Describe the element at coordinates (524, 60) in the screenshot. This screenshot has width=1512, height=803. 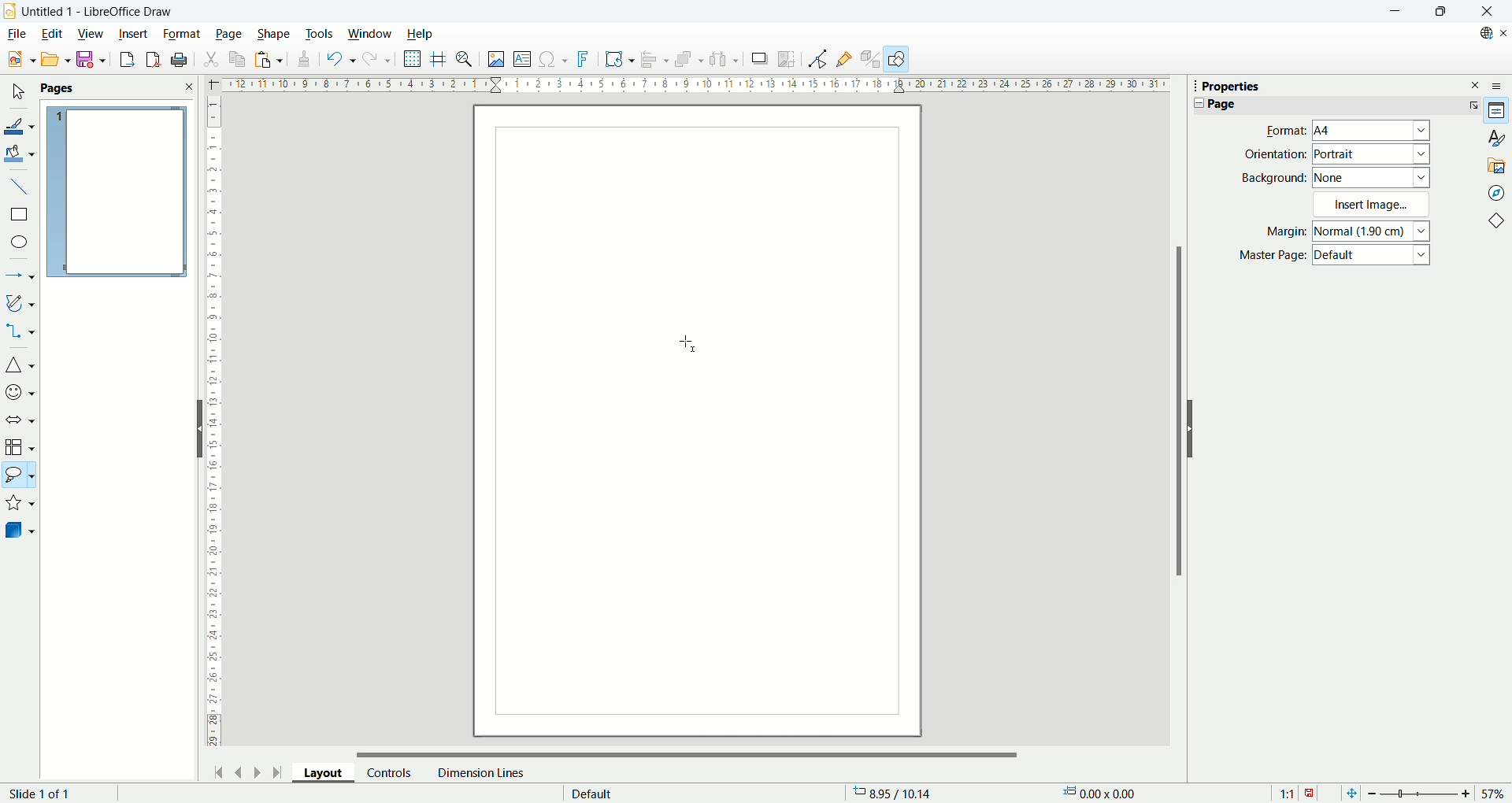
I see `insert textbox` at that location.